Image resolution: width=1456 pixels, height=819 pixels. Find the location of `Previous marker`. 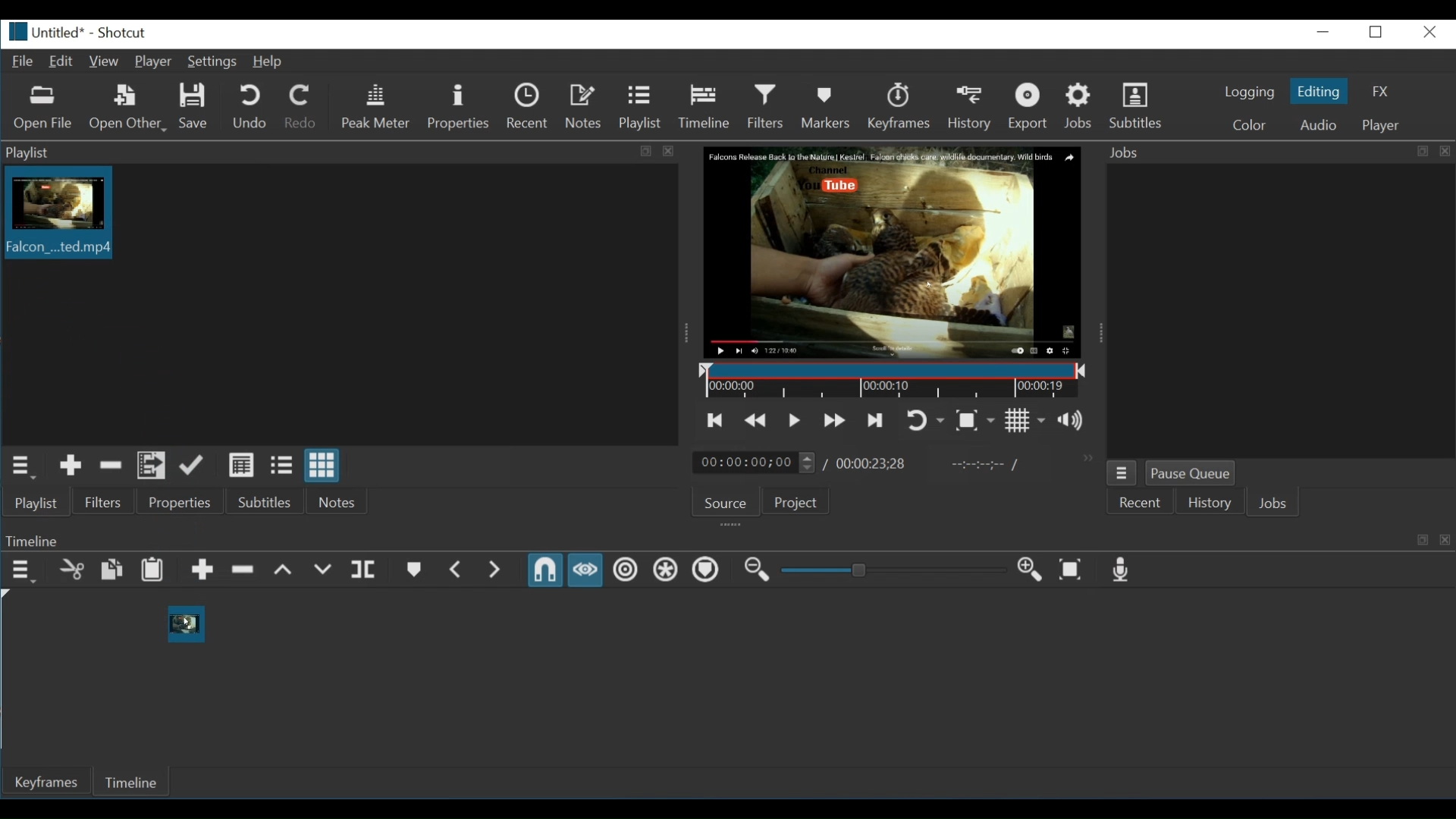

Previous marker is located at coordinates (458, 570).